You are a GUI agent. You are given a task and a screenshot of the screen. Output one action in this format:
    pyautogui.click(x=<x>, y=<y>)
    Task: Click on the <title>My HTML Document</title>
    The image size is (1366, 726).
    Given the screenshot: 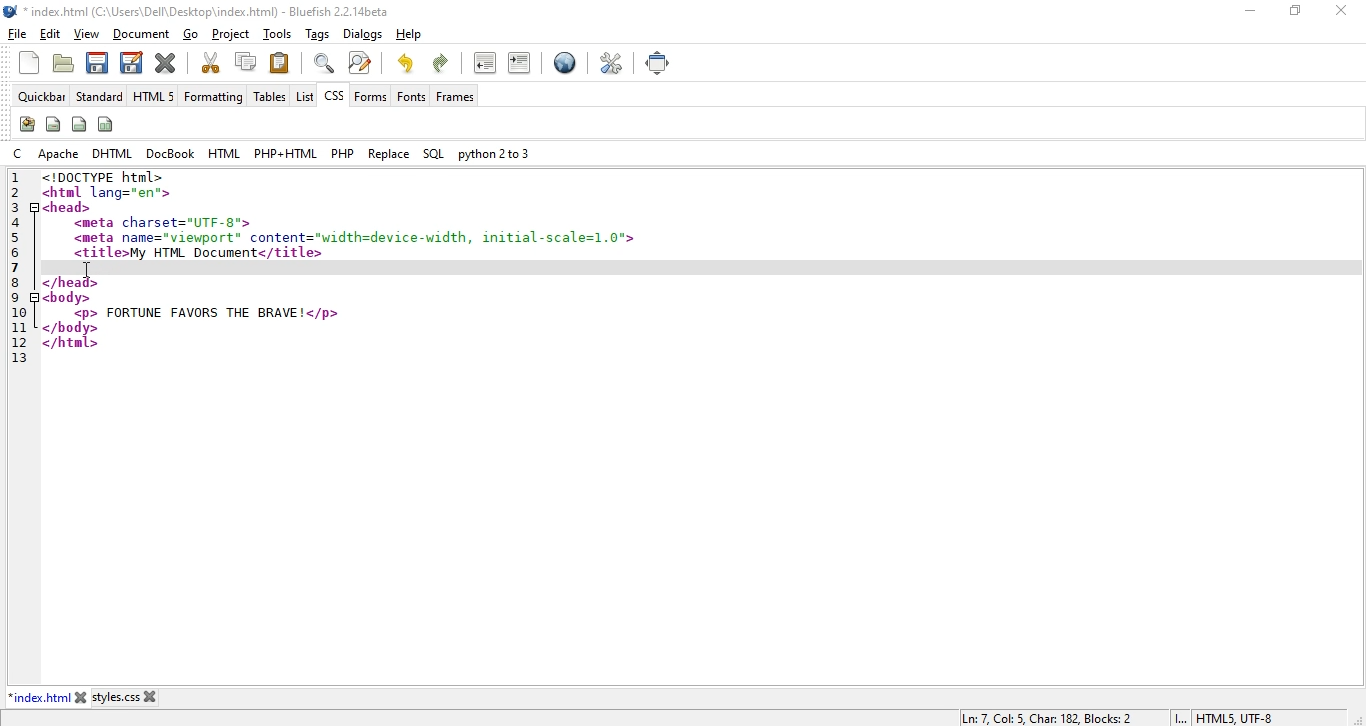 What is the action you would take?
    pyautogui.click(x=198, y=253)
    